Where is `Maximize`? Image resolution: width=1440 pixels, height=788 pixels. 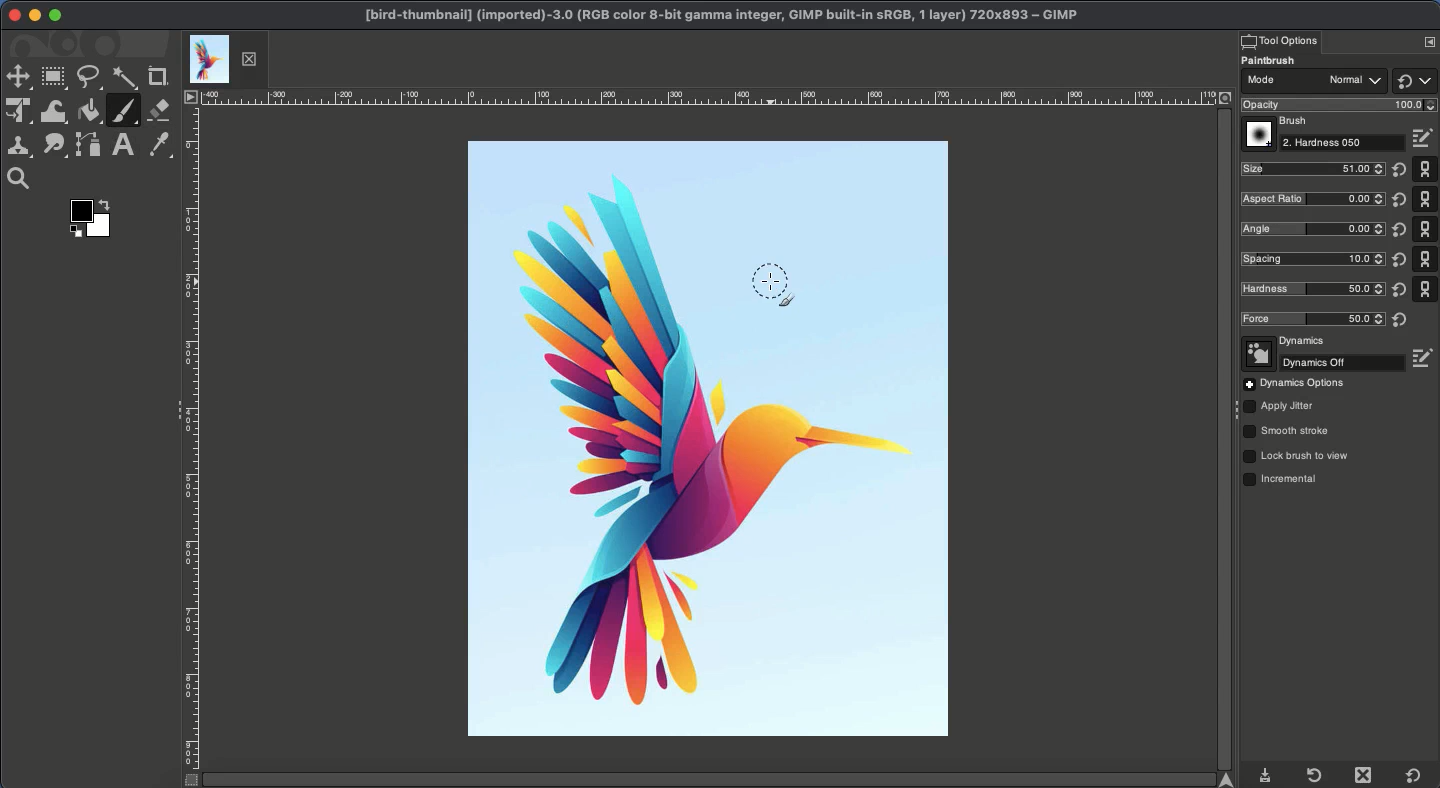
Maximize is located at coordinates (55, 15).